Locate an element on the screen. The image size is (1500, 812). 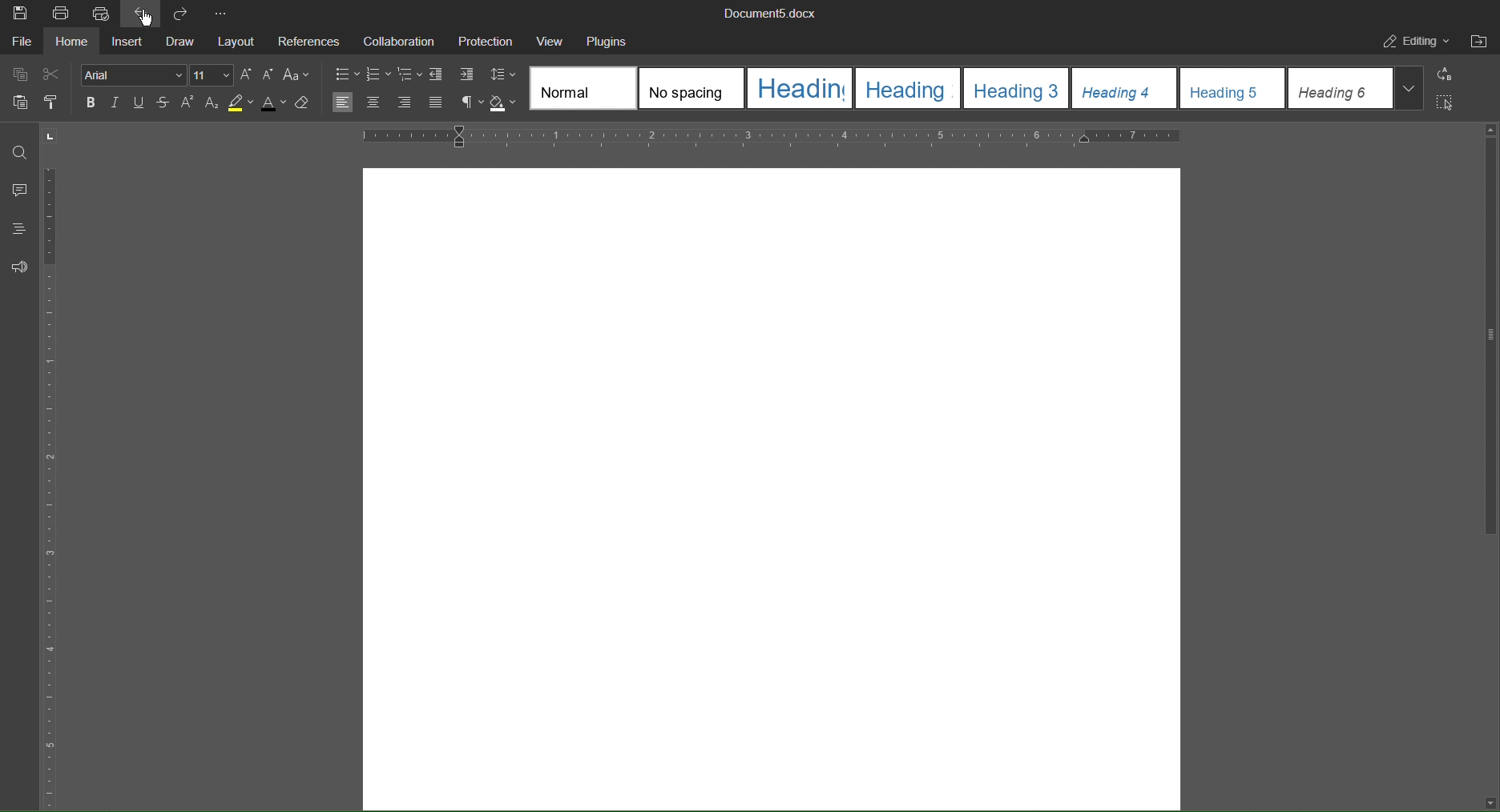
vertical scroll bar is located at coordinates (1490, 338).